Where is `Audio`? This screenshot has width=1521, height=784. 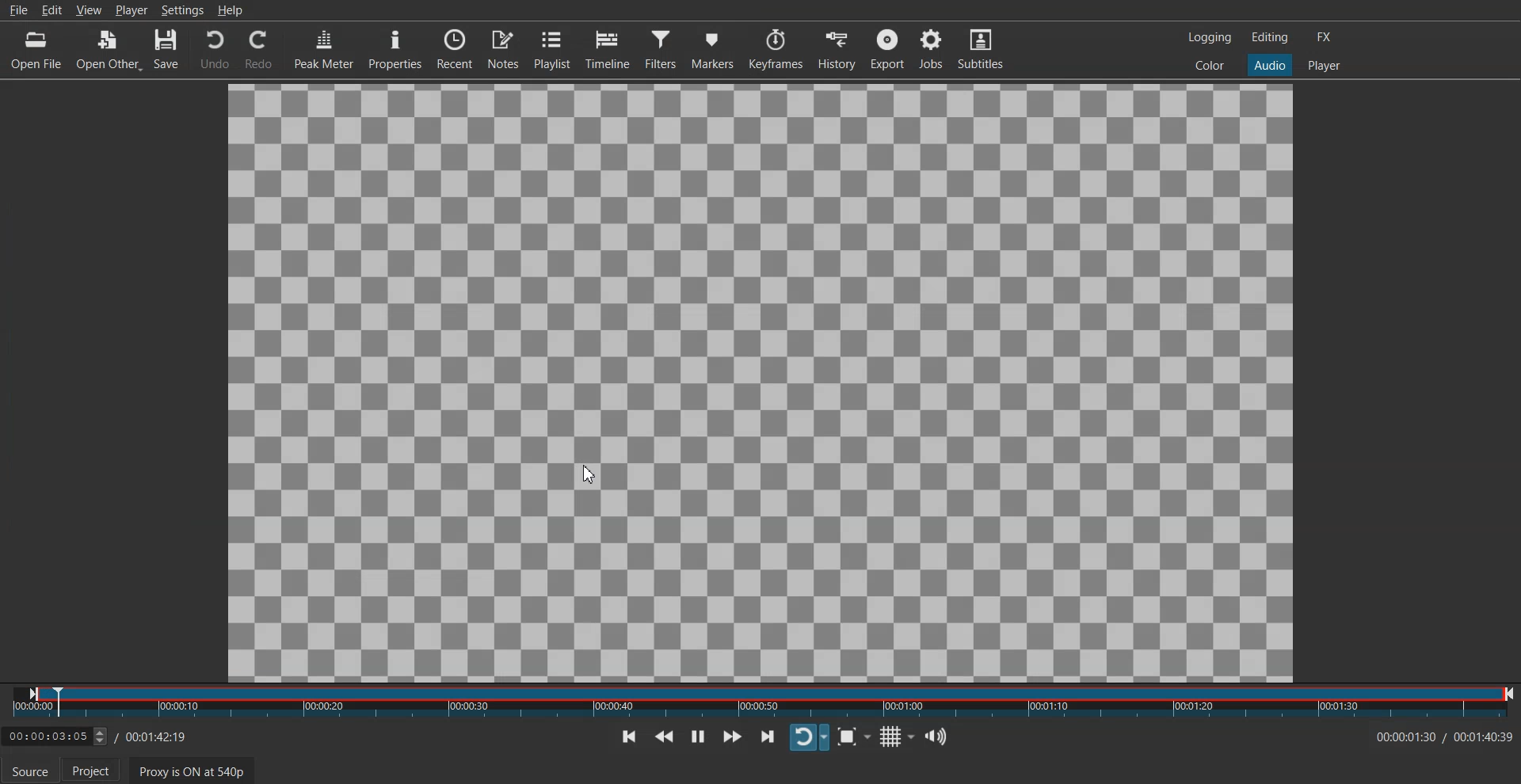 Audio is located at coordinates (1270, 66).